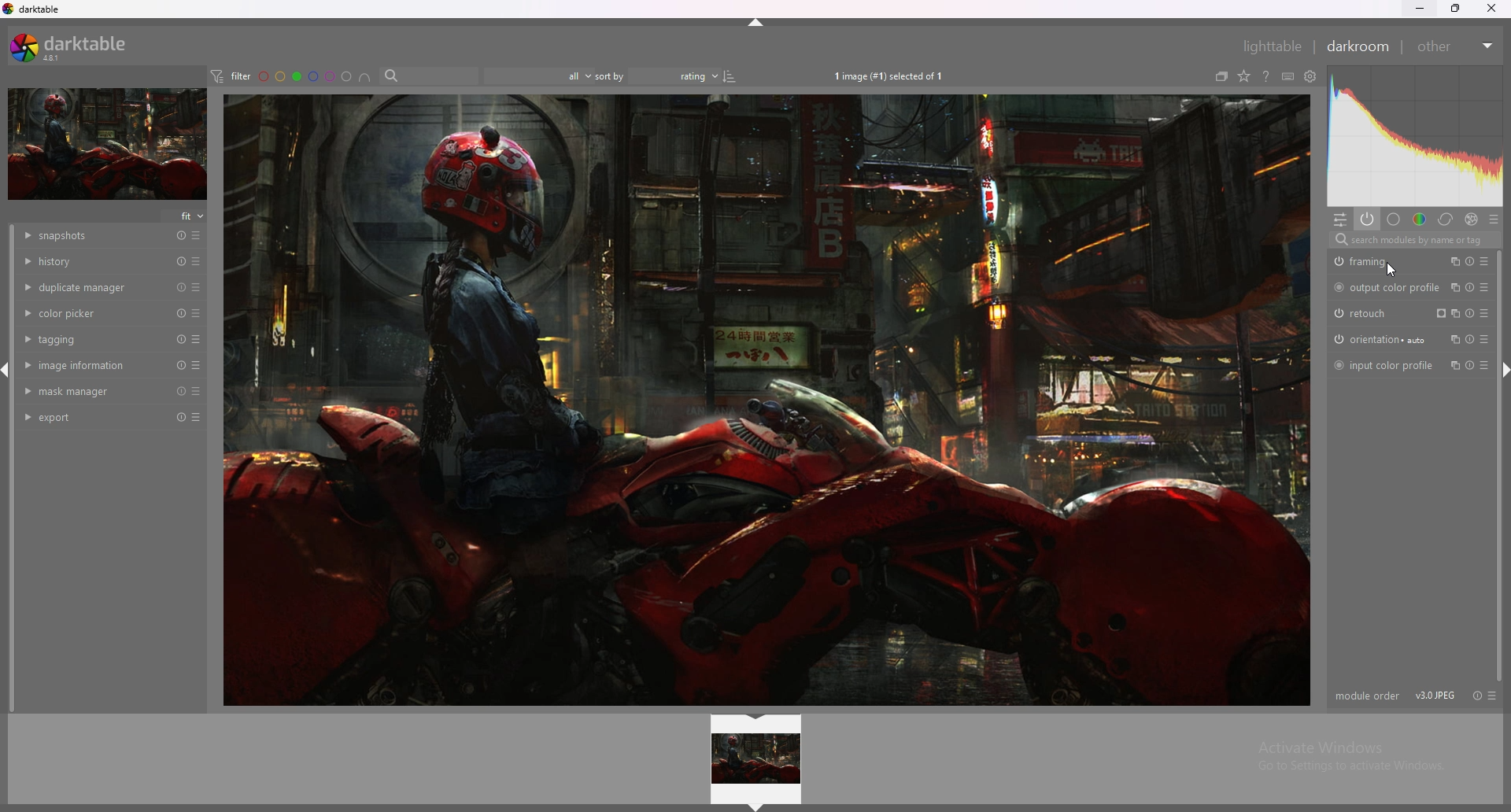 This screenshot has width=1511, height=812. What do you see at coordinates (196, 418) in the screenshot?
I see `presets` at bounding box center [196, 418].